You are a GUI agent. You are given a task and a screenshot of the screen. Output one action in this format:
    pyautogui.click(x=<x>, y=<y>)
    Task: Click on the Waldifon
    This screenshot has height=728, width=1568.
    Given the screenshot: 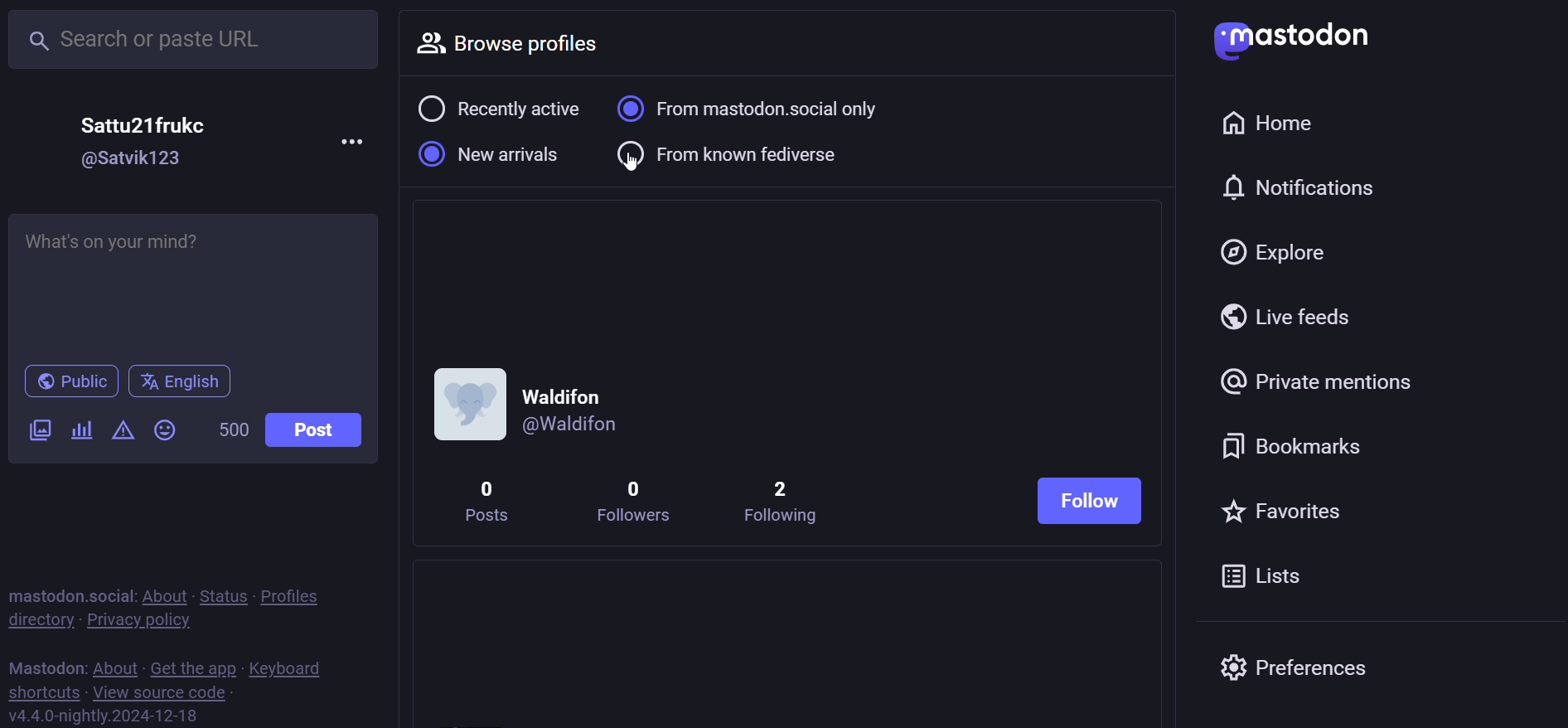 What is the action you would take?
    pyautogui.click(x=571, y=391)
    